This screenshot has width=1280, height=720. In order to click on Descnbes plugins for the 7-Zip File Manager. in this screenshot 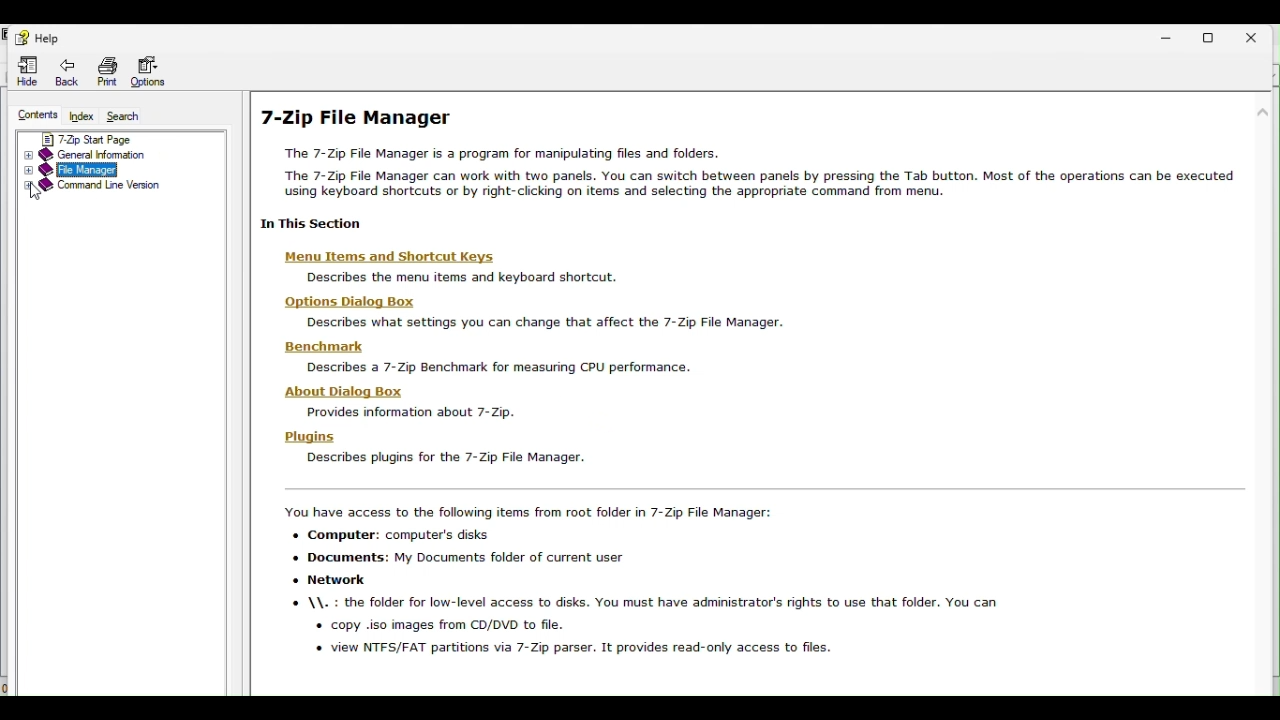, I will do `click(440, 458)`.